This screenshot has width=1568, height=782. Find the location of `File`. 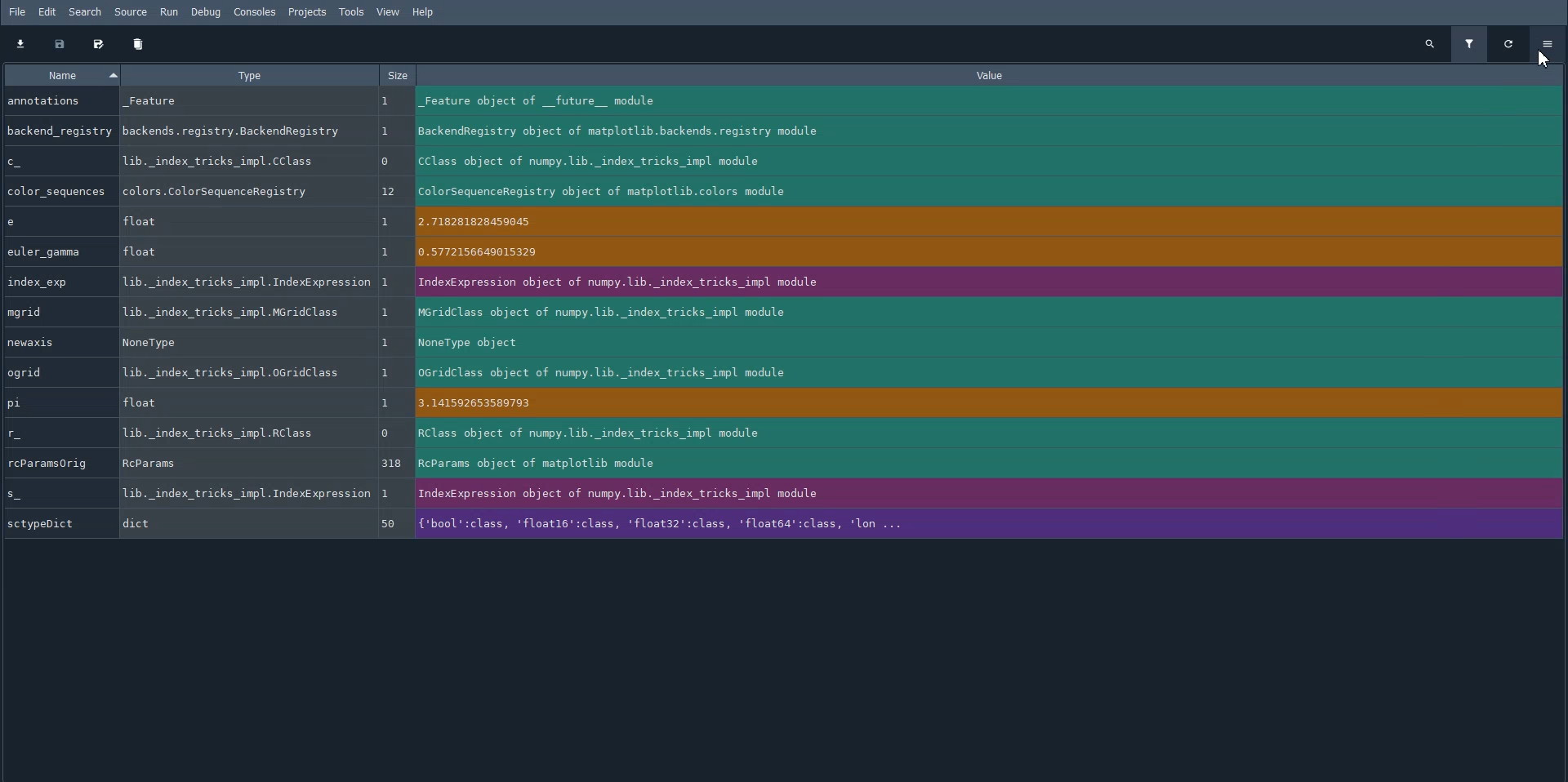

File is located at coordinates (17, 11).